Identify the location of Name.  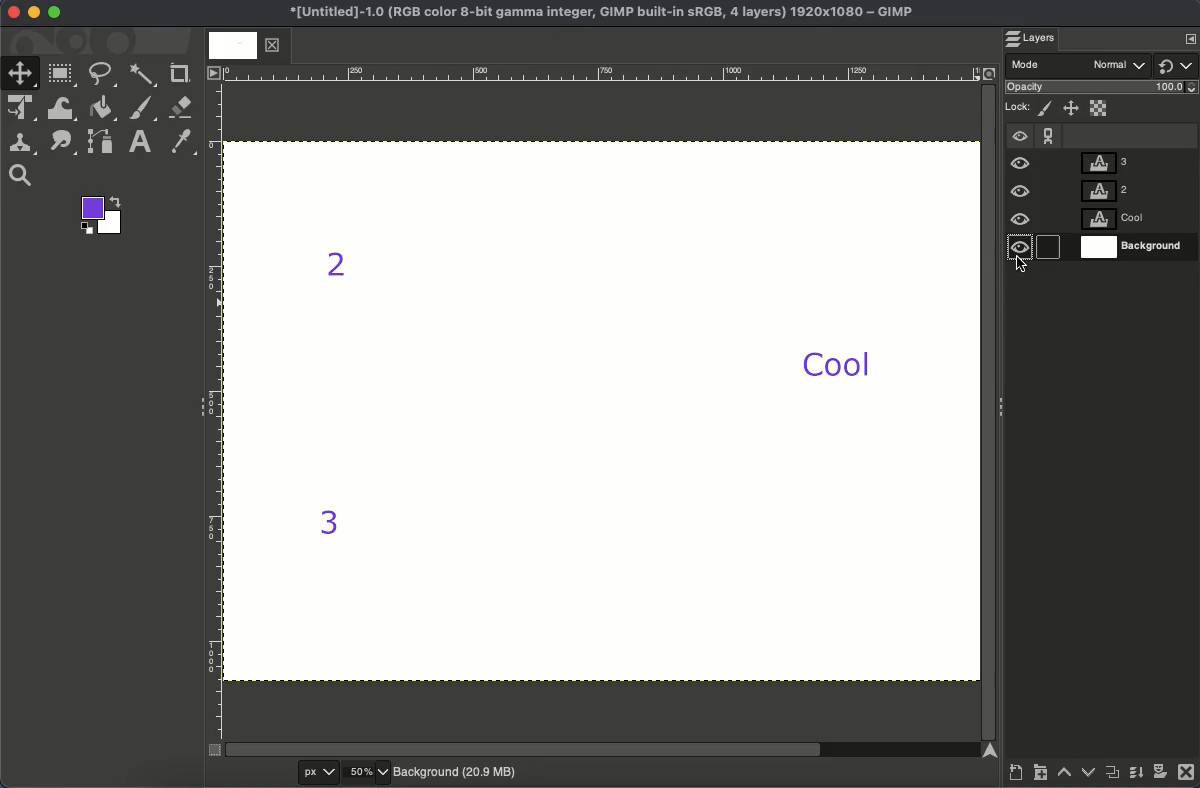
(597, 14).